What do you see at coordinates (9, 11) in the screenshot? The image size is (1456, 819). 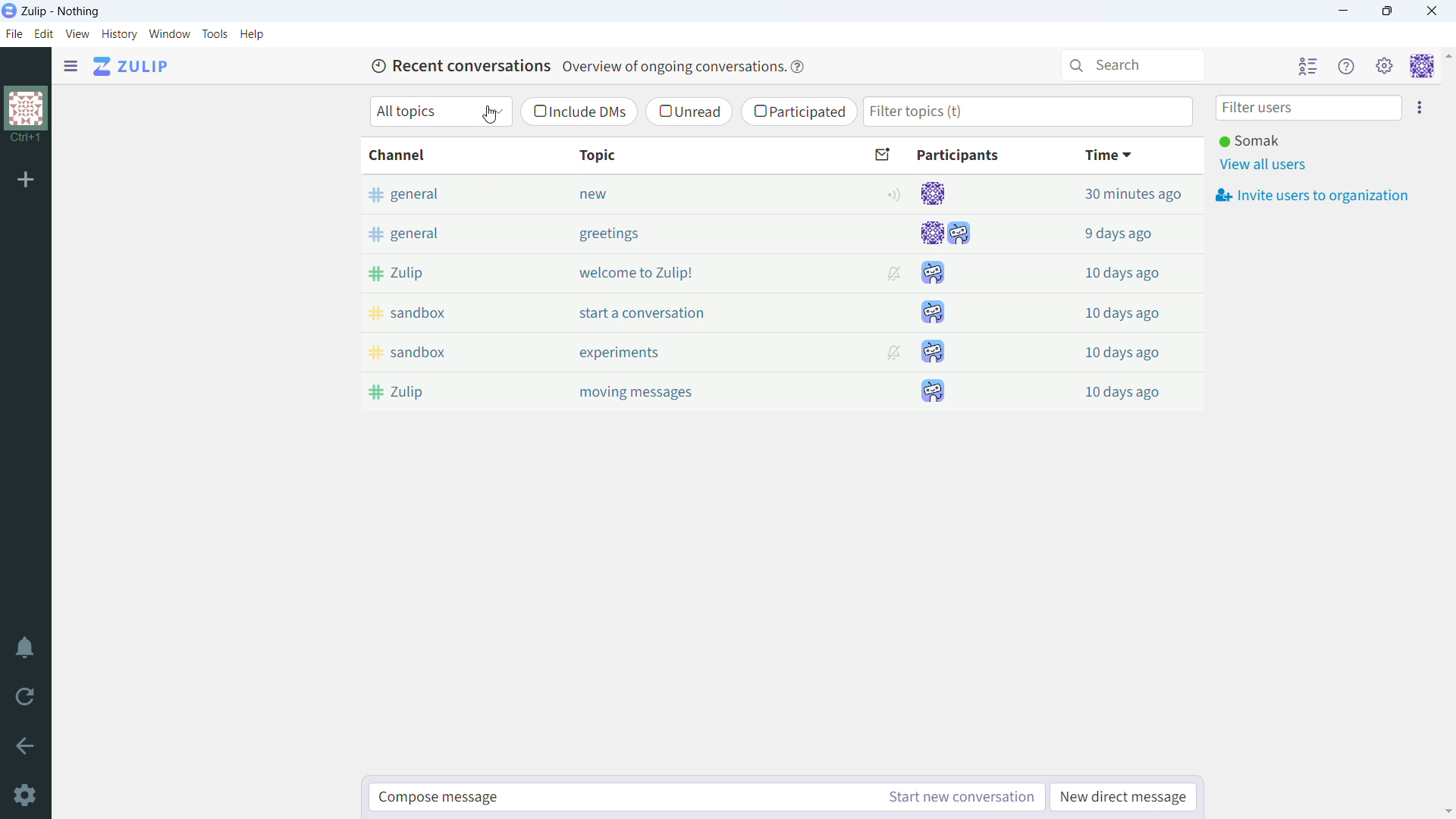 I see `logo` at bounding box center [9, 11].